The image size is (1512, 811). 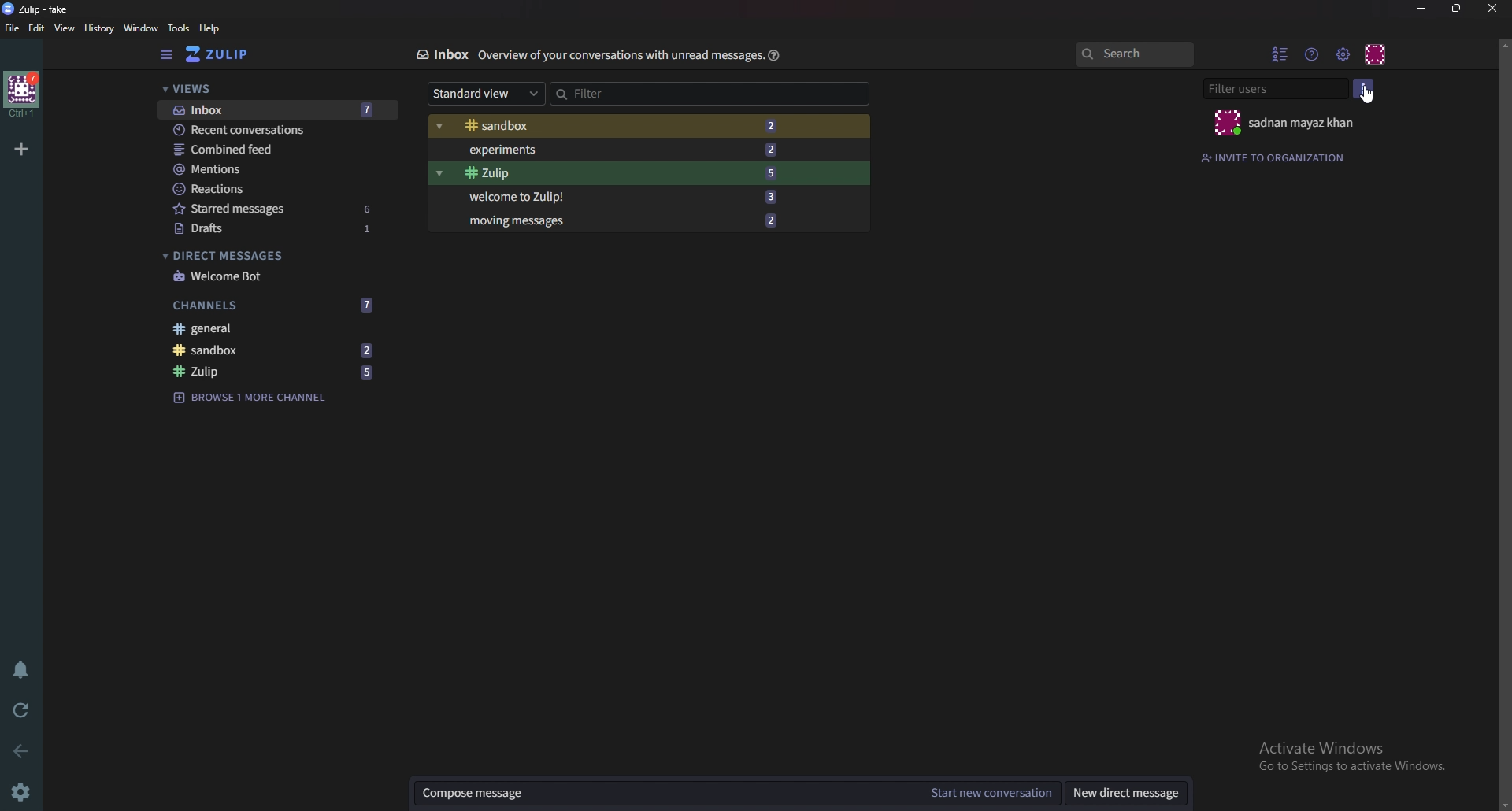 What do you see at coordinates (989, 794) in the screenshot?
I see `Start new conversation` at bounding box center [989, 794].